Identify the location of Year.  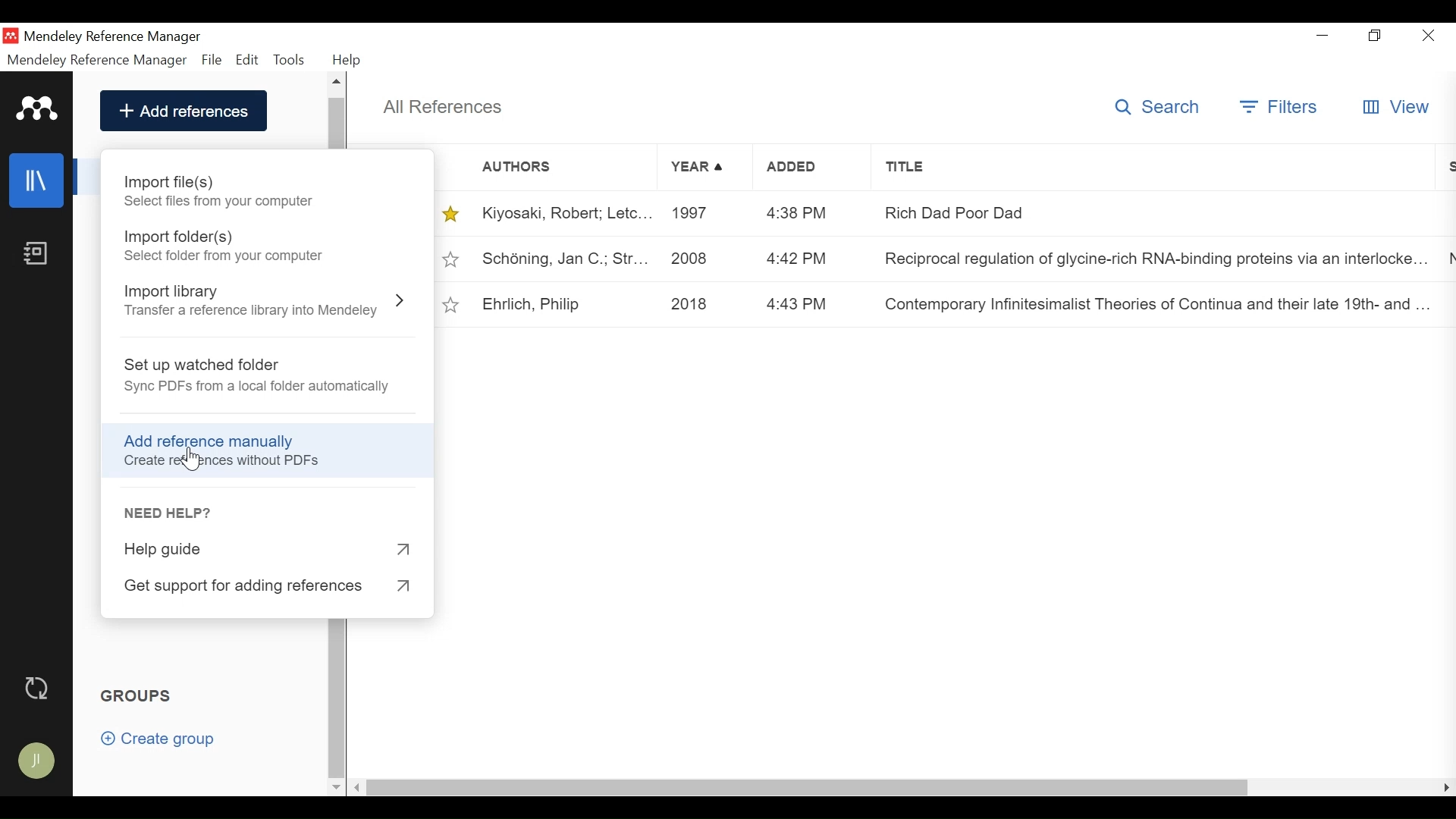
(697, 166).